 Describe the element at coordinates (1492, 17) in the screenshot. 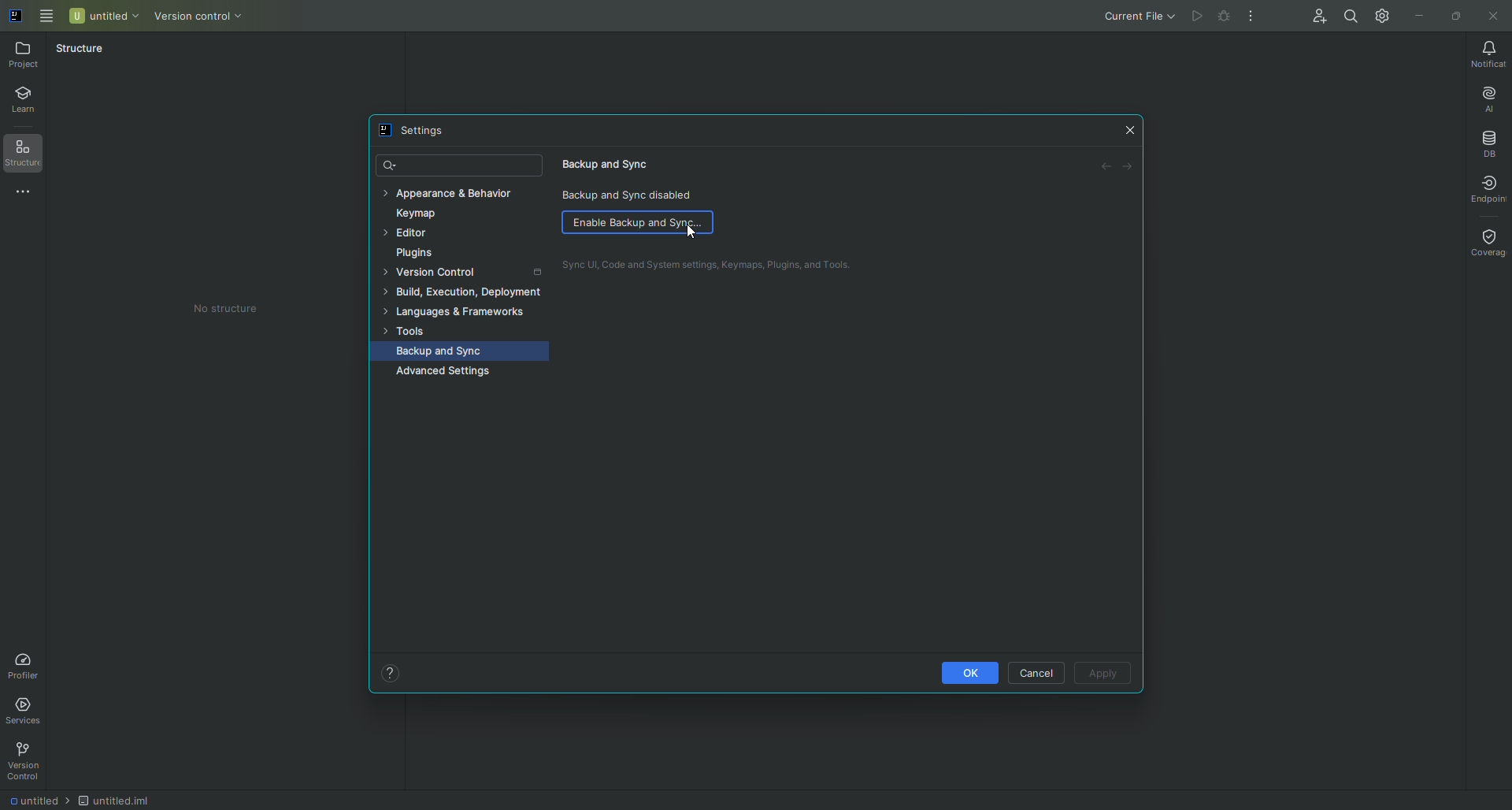

I see `Close` at that location.